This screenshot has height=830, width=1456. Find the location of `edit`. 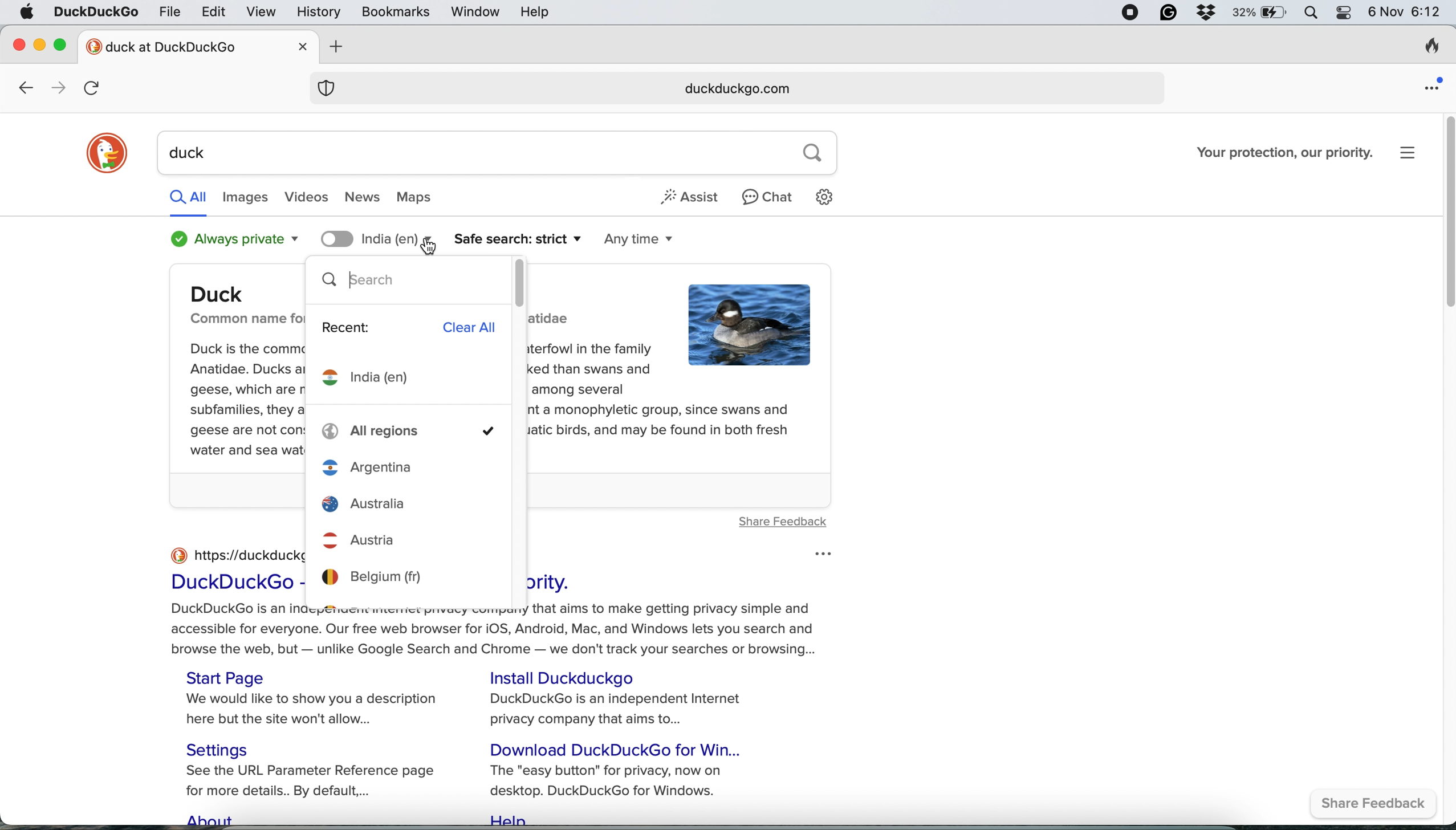

edit is located at coordinates (215, 11).